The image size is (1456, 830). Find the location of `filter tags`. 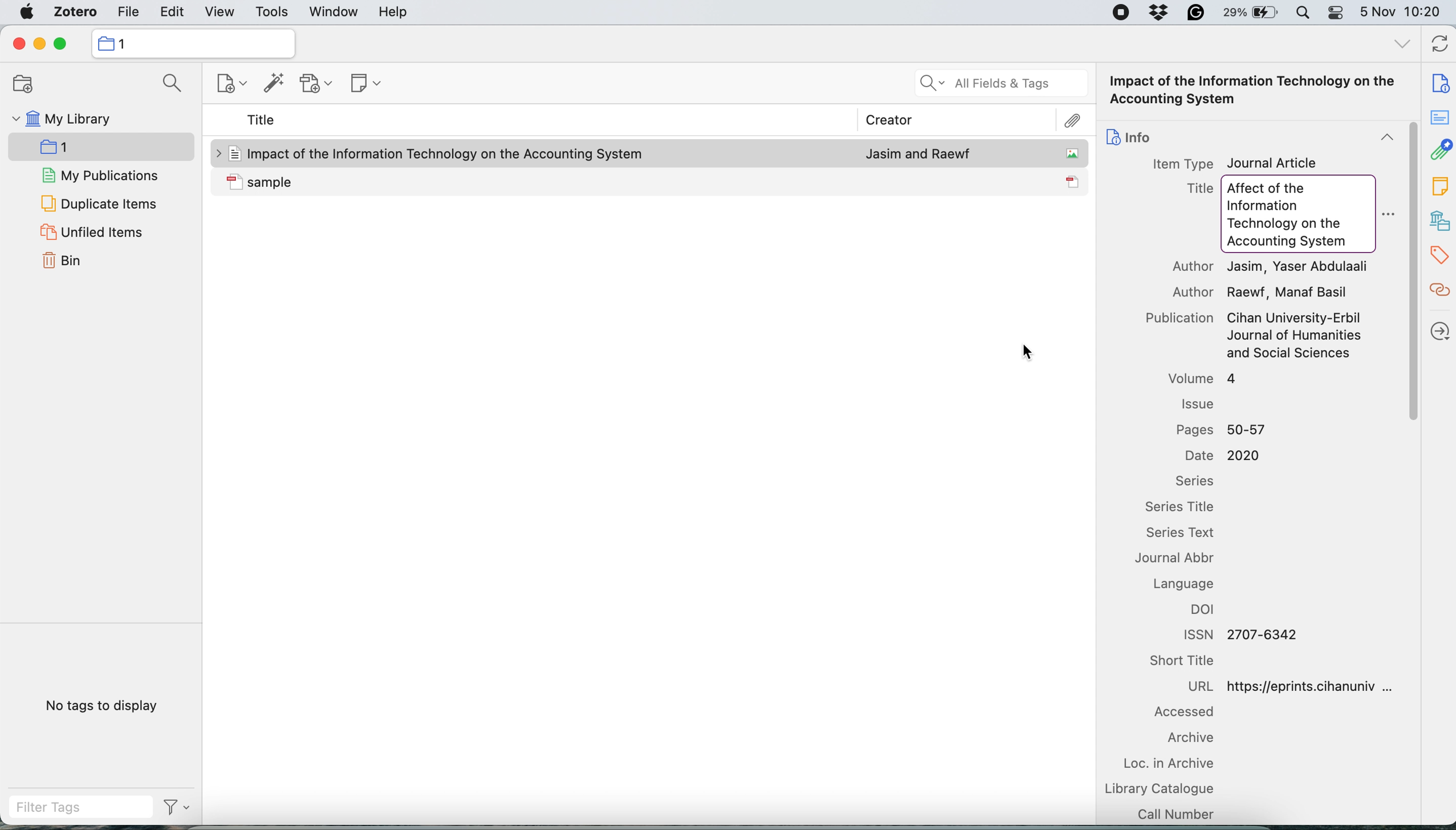

filter tags is located at coordinates (175, 807).